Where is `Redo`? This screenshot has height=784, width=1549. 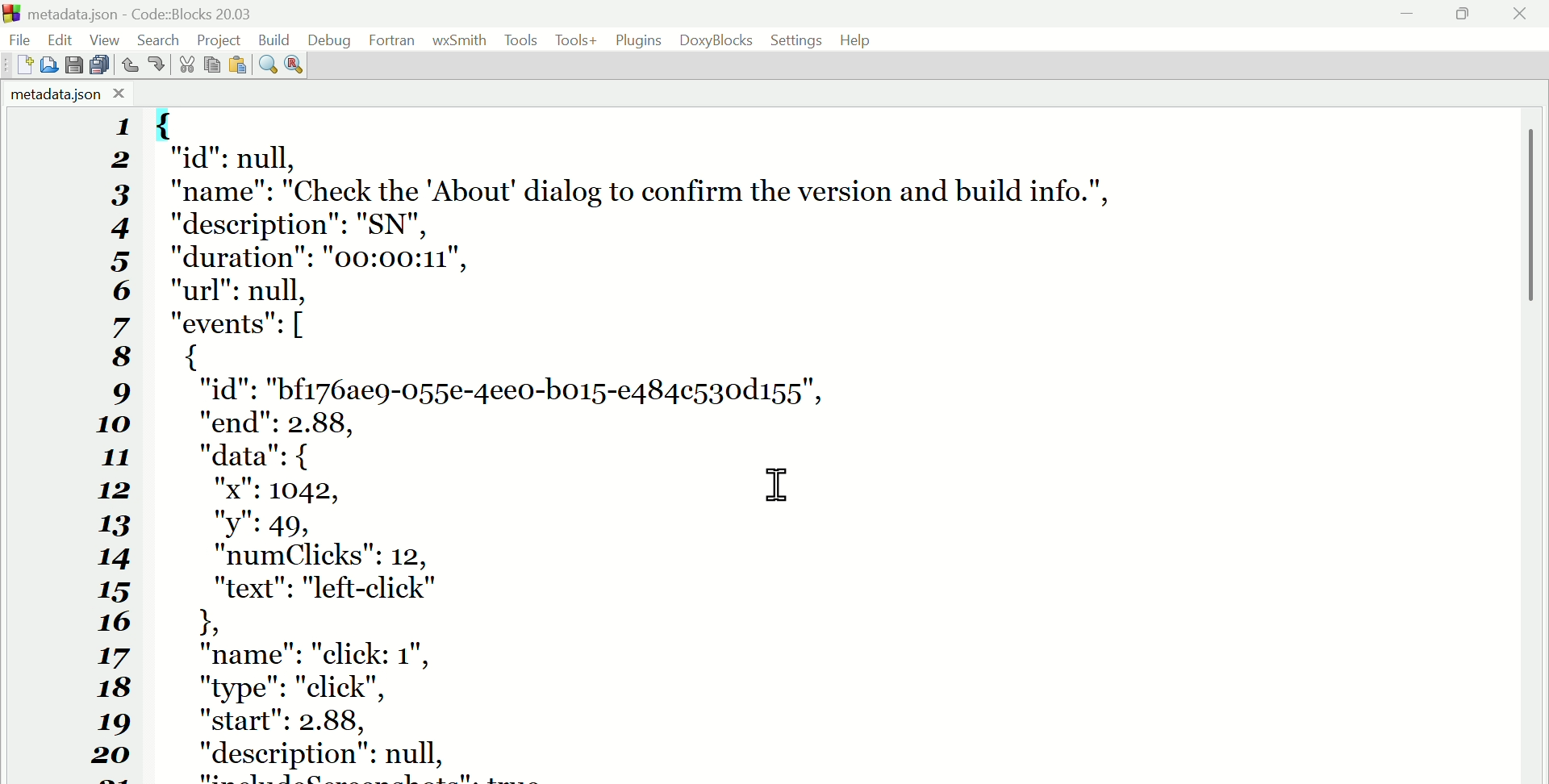
Redo is located at coordinates (156, 63).